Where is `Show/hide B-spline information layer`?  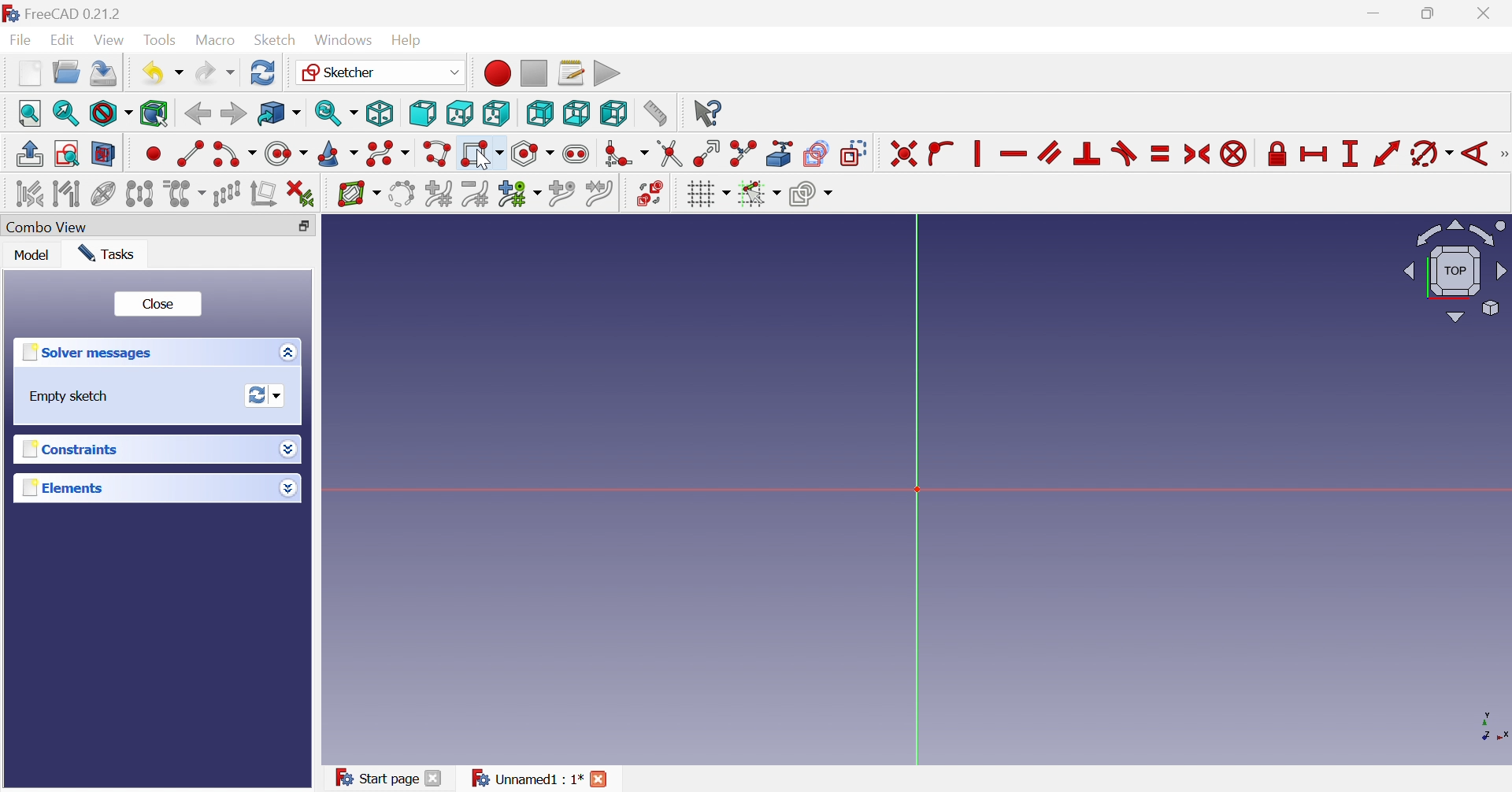 Show/hide B-spline information layer is located at coordinates (359, 194).